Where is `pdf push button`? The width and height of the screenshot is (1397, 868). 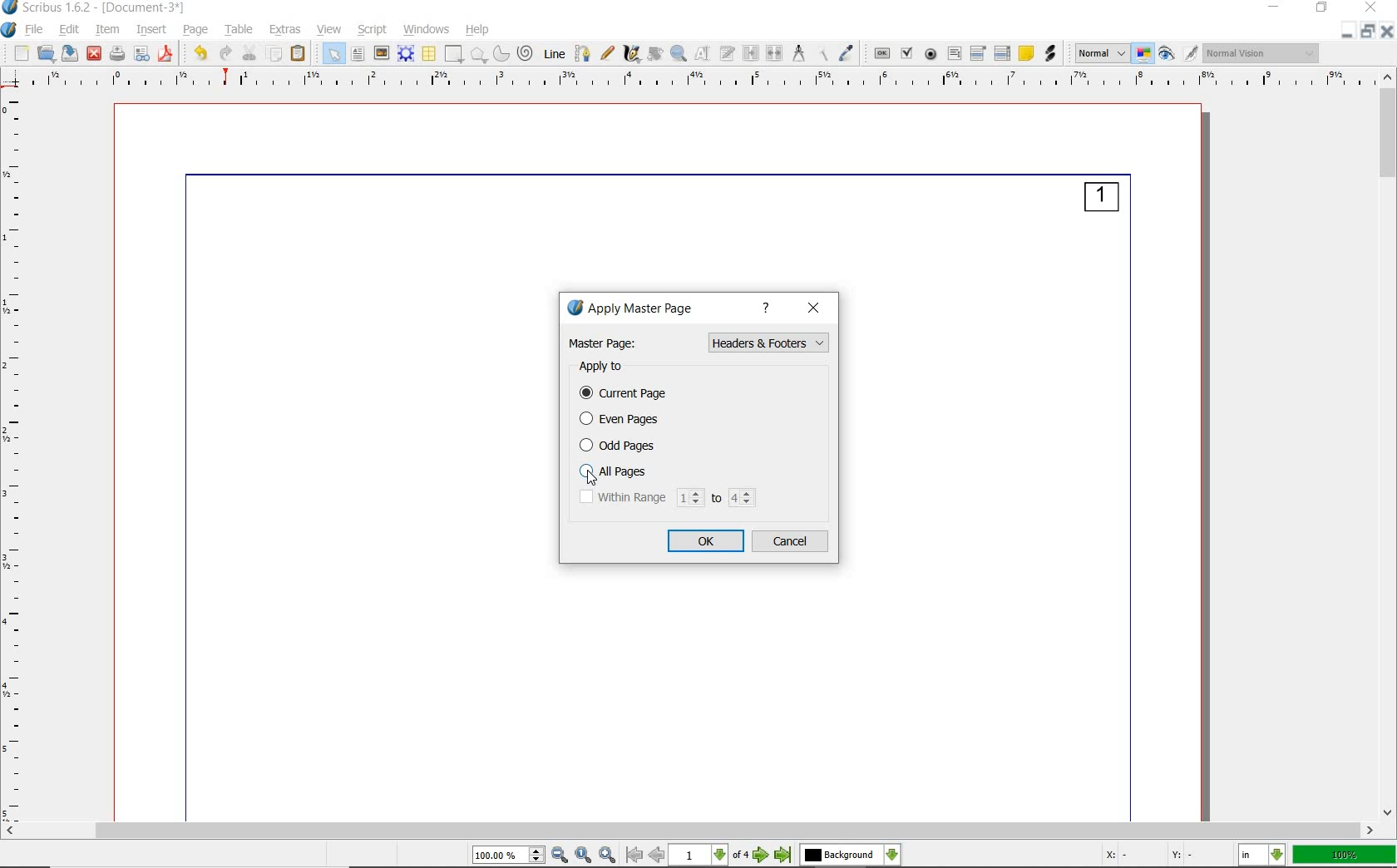
pdf push button is located at coordinates (881, 52).